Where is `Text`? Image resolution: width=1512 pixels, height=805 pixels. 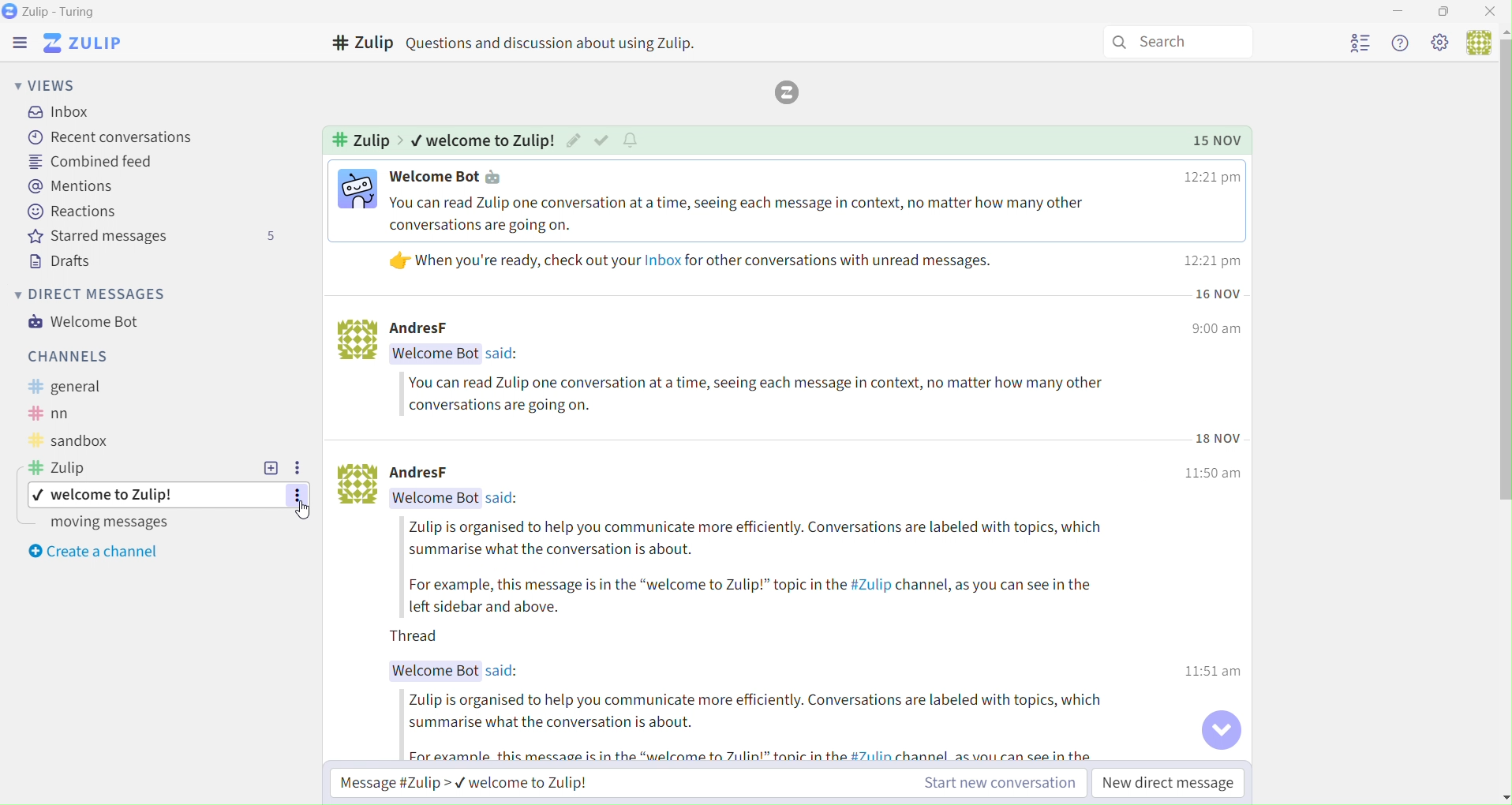
Text is located at coordinates (761, 537).